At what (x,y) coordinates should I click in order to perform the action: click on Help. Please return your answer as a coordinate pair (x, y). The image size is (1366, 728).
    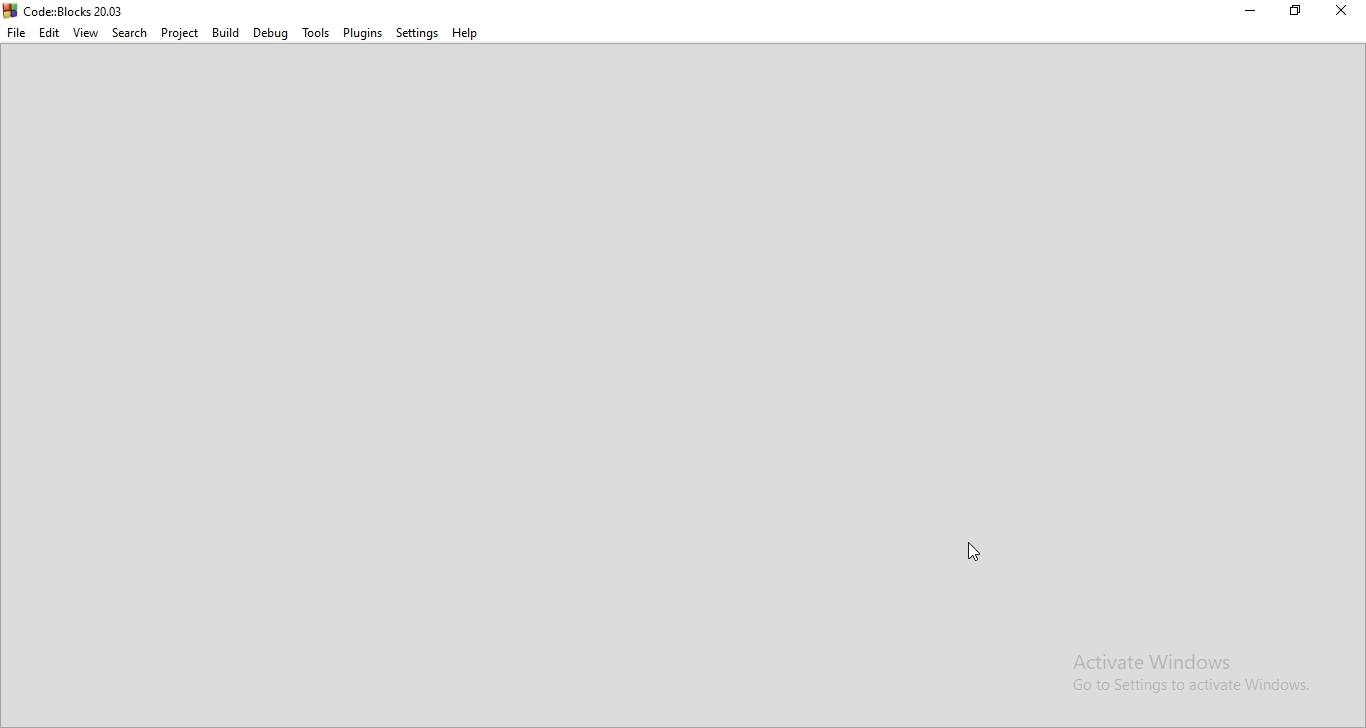
    Looking at the image, I should click on (465, 35).